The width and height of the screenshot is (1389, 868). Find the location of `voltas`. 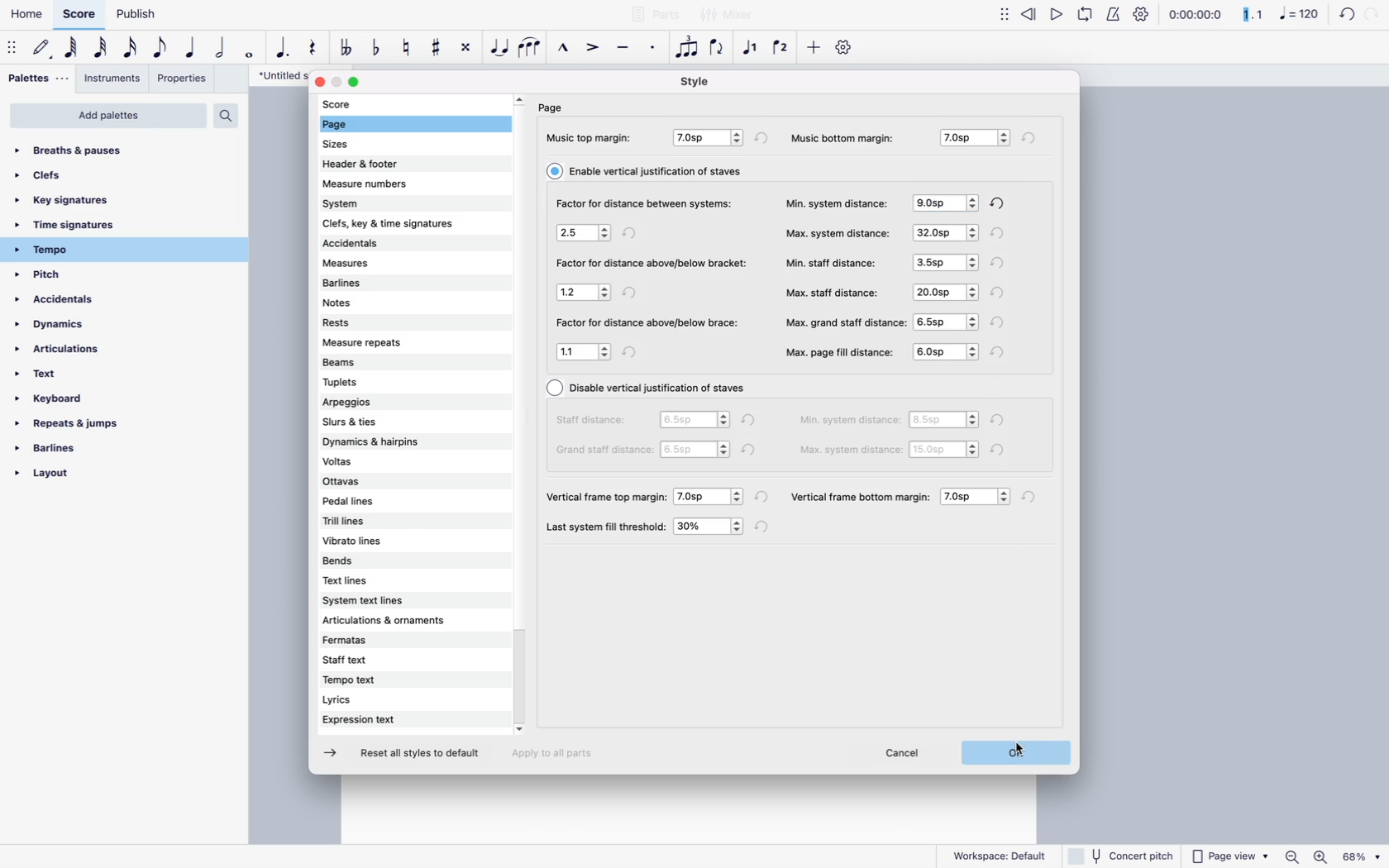

voltas is located at coordinates (380, 461).